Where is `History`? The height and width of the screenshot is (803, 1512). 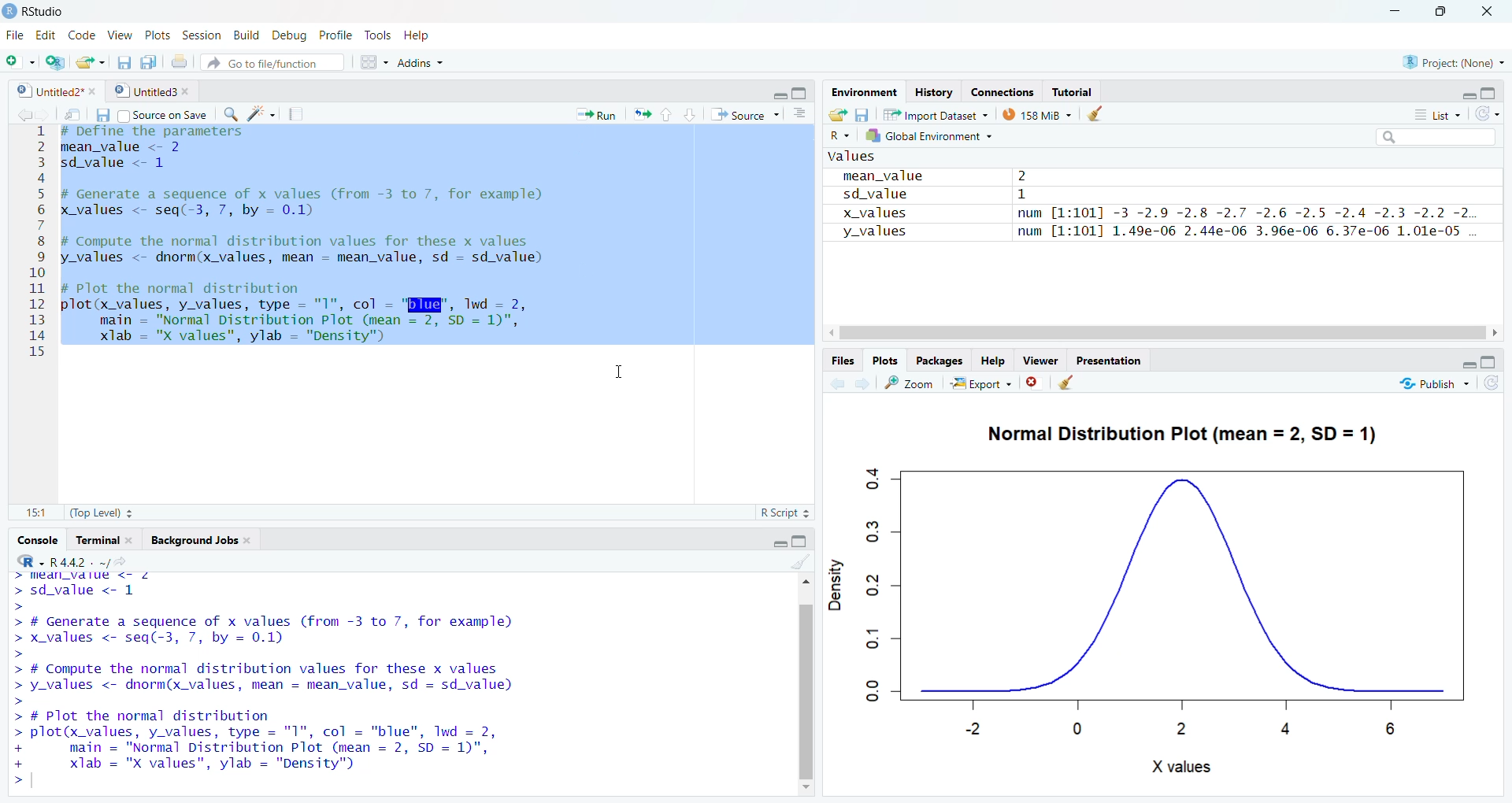 History is located at coordinates (932, 91).